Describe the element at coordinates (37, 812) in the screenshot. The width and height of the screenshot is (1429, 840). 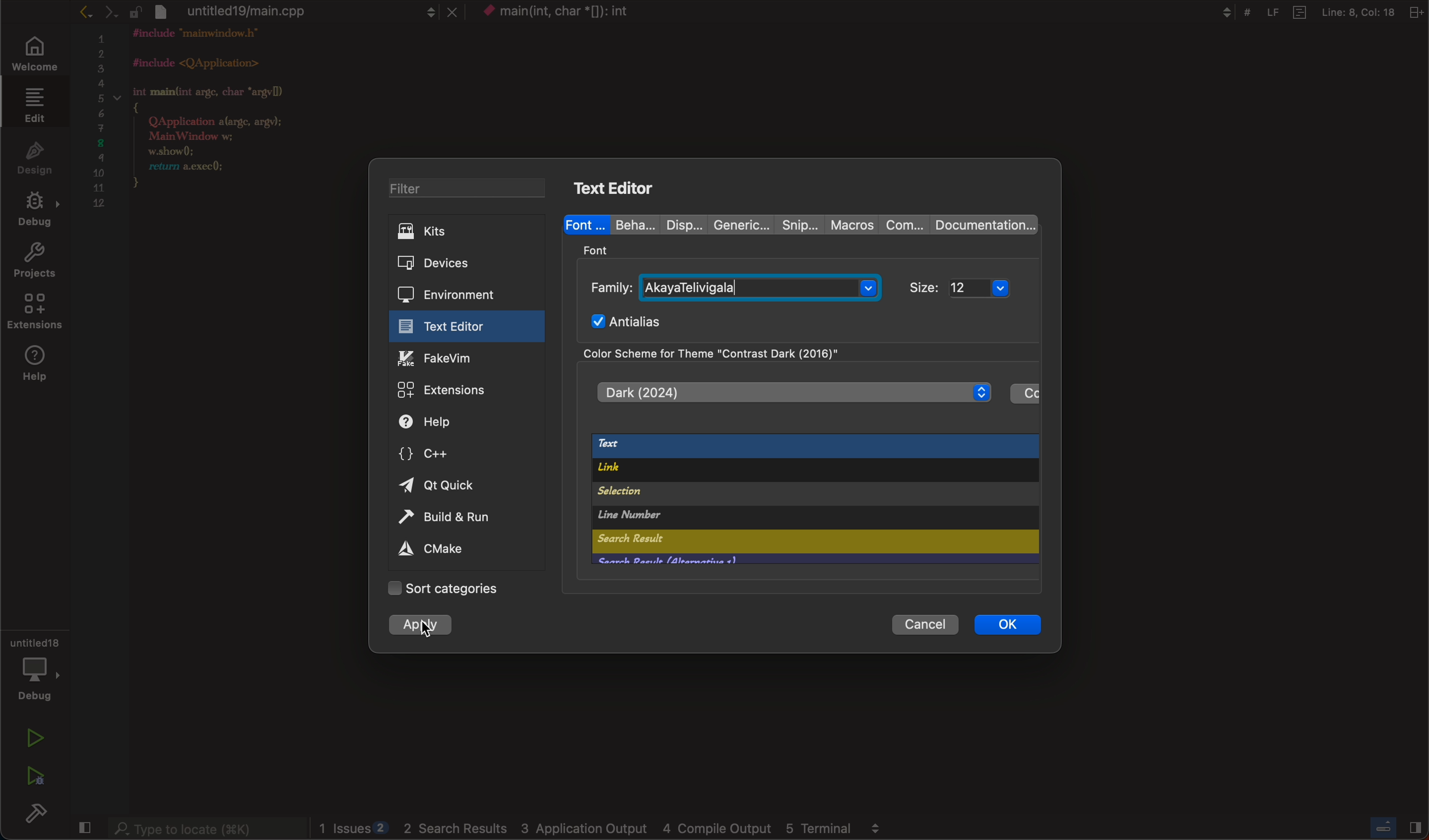
I see `build` at that location.